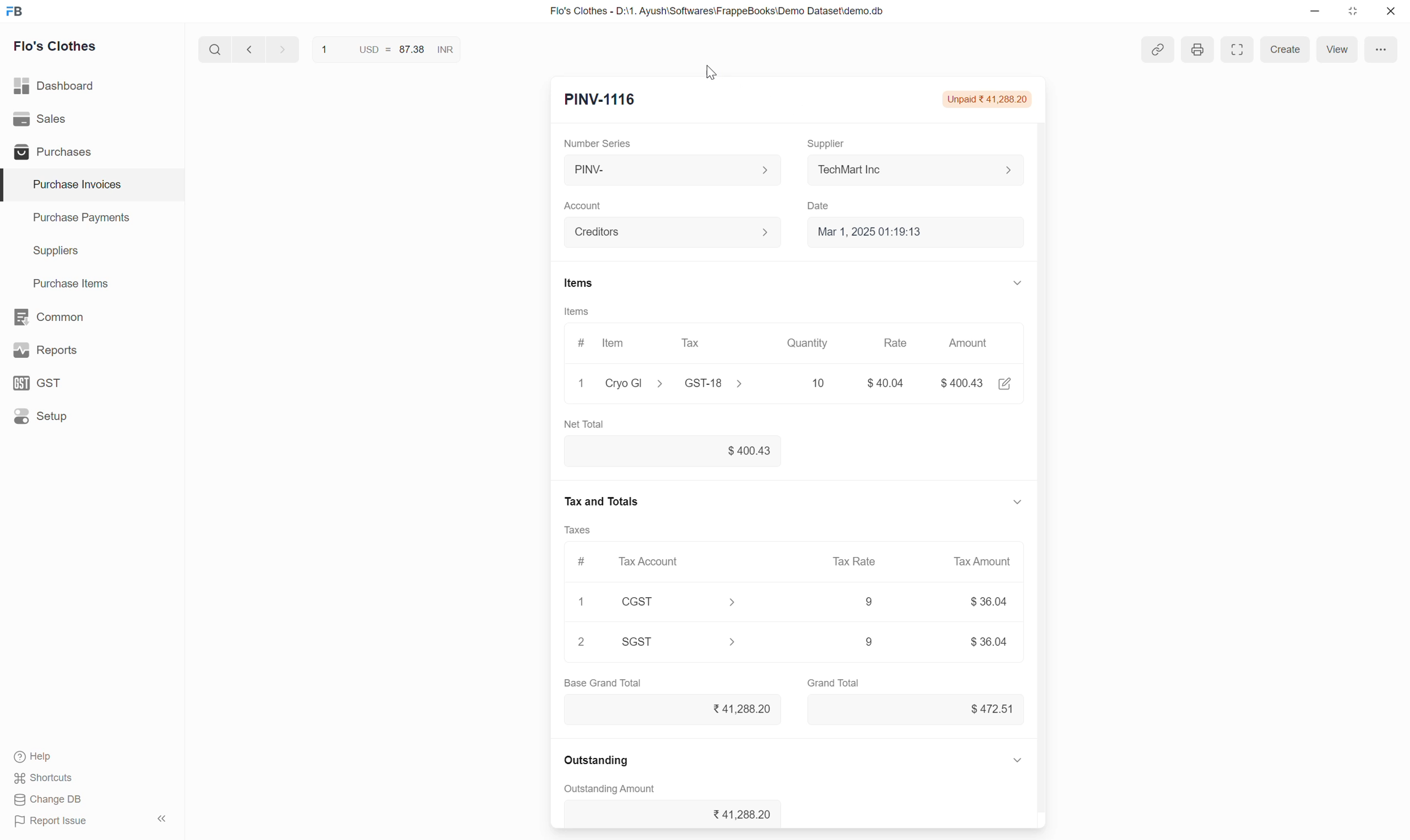 The image size is (1410, 840). What do you see at coordinates (981, 562) in the screenshot?
I see `Tax amount` at bounding box center [981, 562].